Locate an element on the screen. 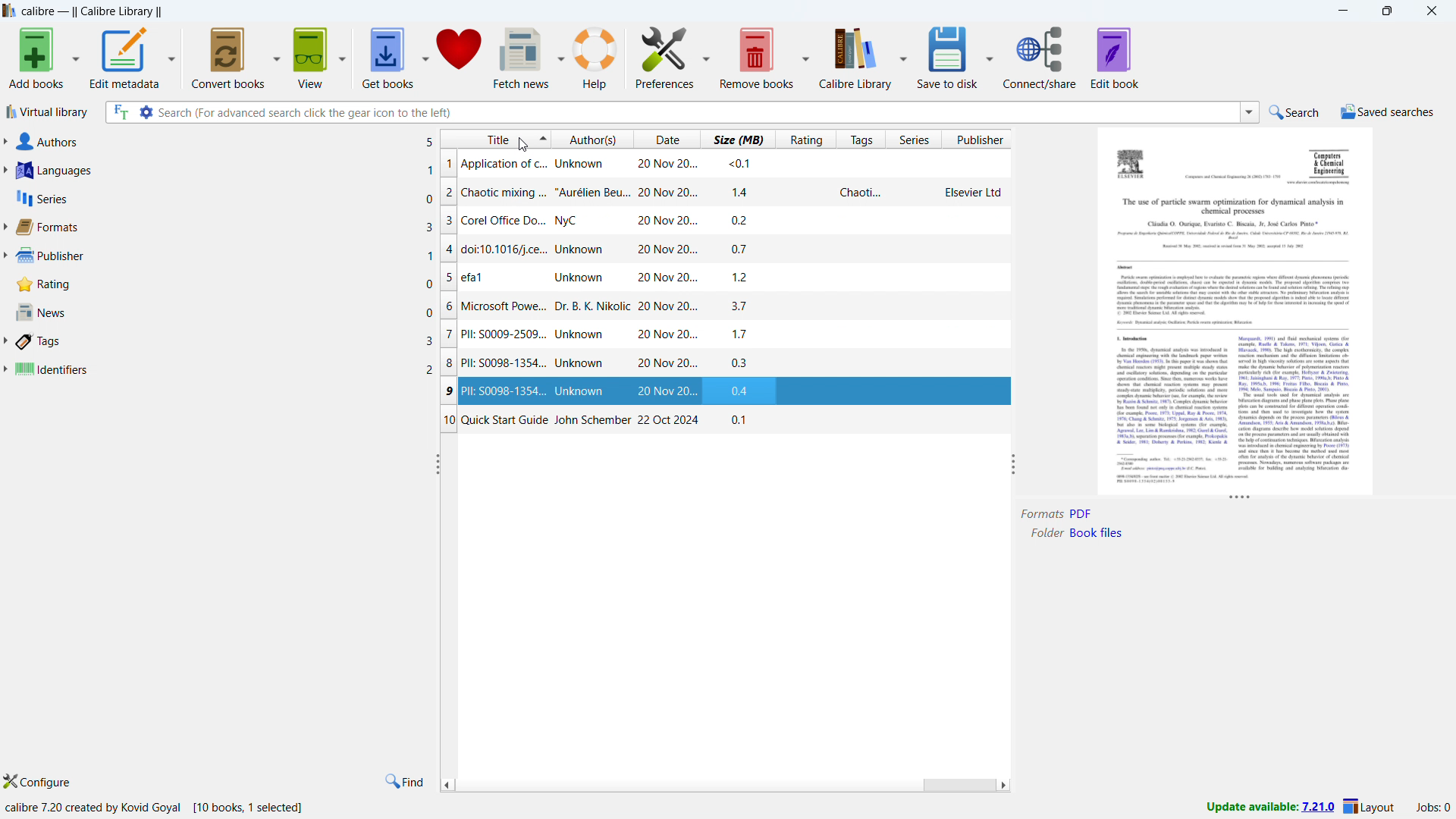  resize is located at coordinates (437, 465).